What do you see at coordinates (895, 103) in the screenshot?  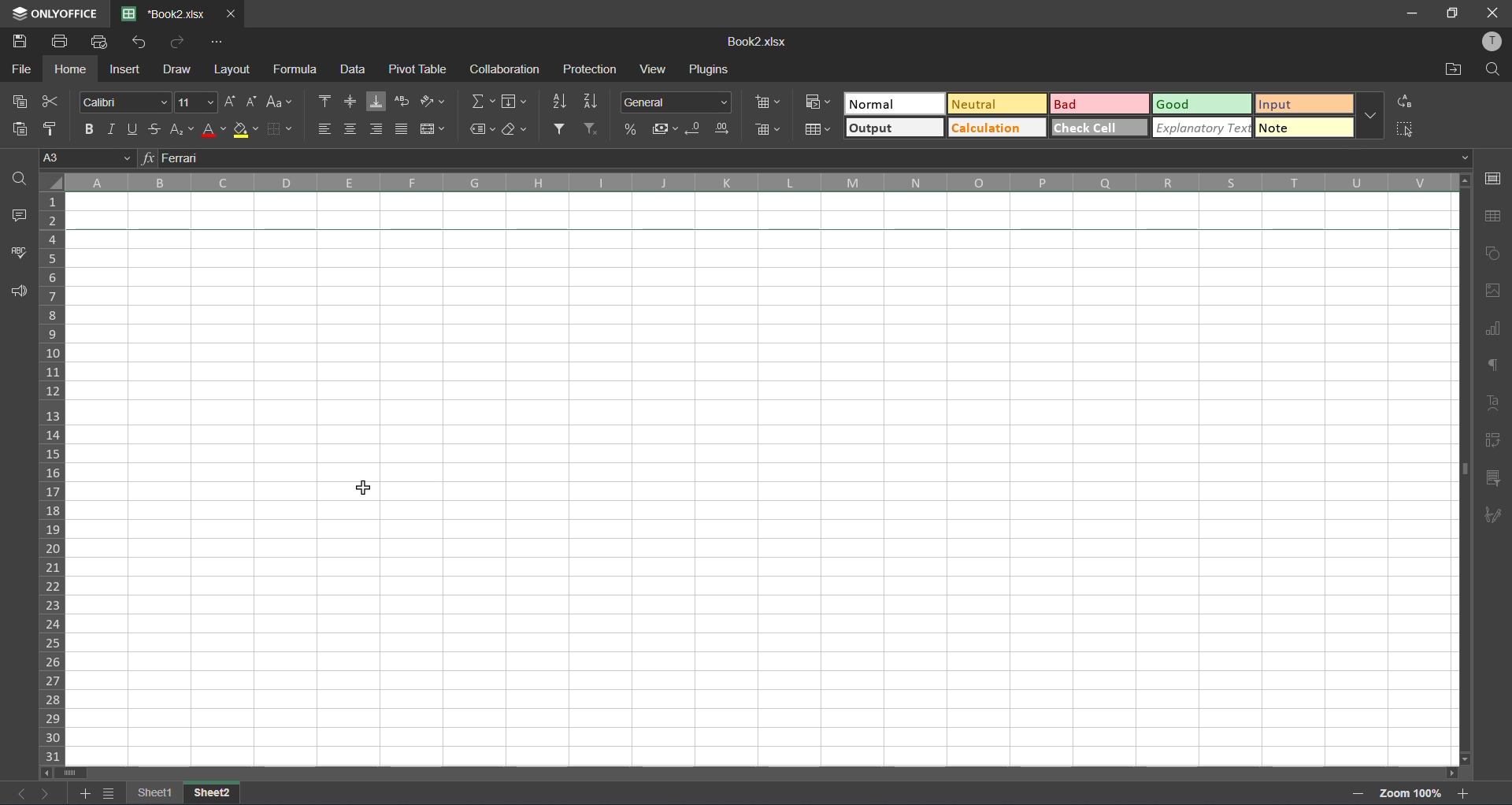 I see `normal` at bounding box center [895, 103].